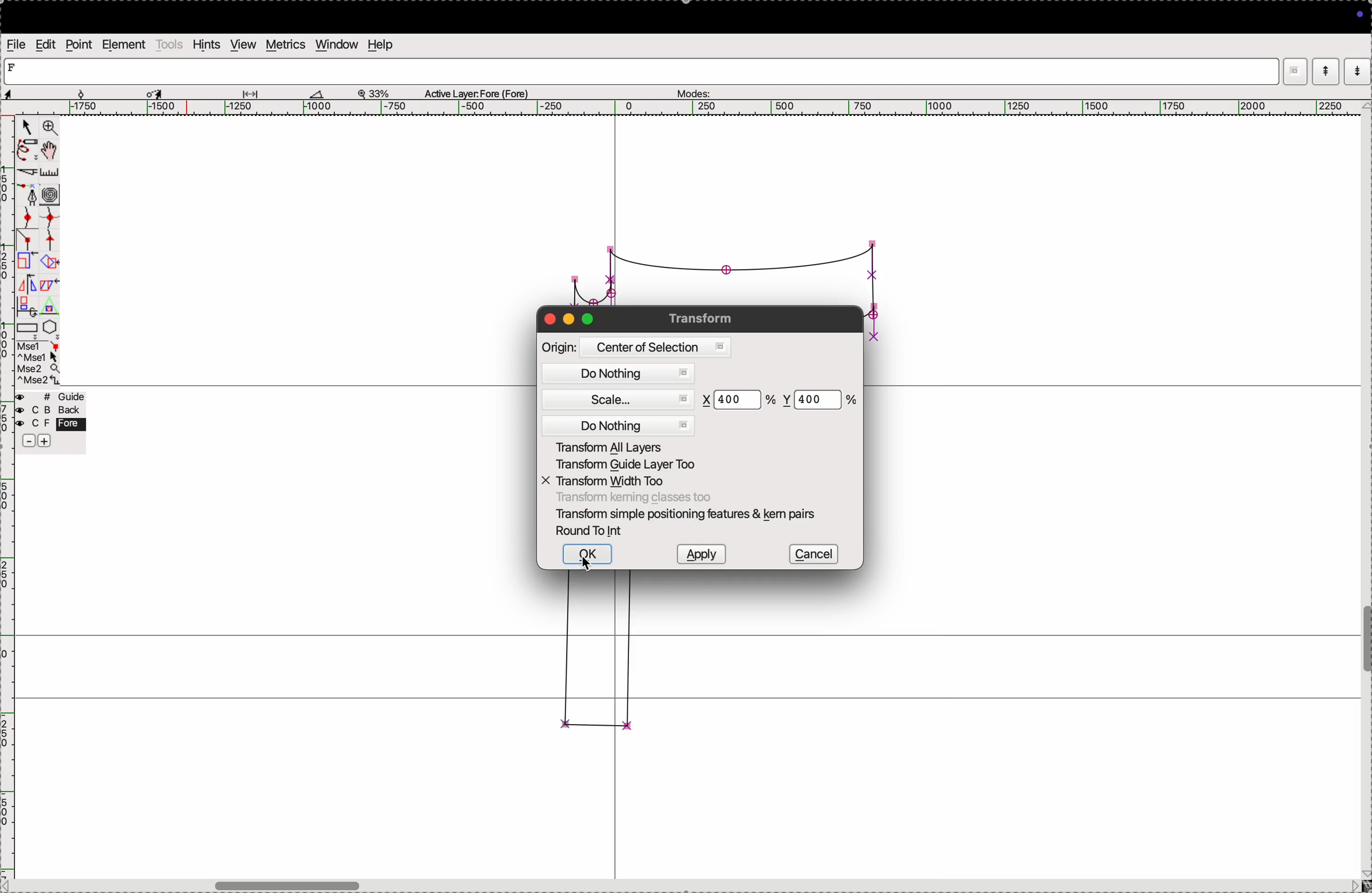 This screenshot has width=1372, height=893. What do you see at coordinates (624, 466) in the screenshot?
I see `trabsform guide layers` at bounding box center [624, 466].